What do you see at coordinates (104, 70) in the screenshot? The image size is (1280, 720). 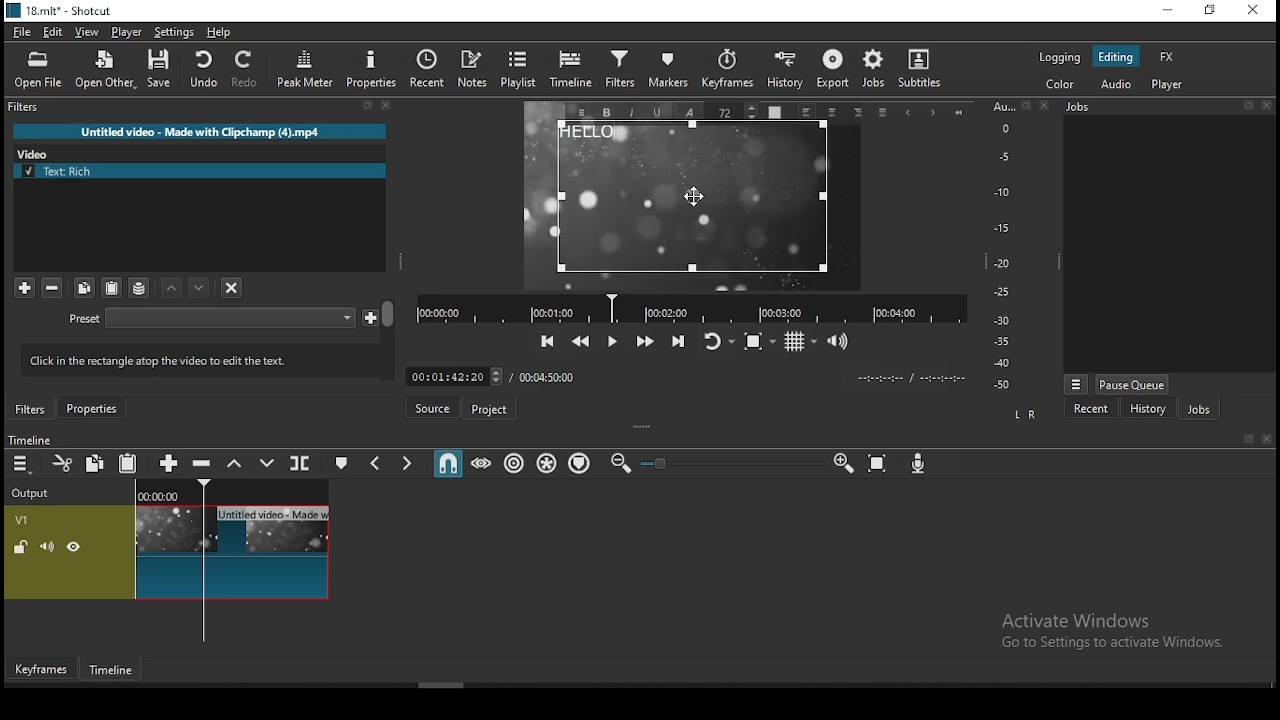 I see `open other` at bounding box center [104, 70].